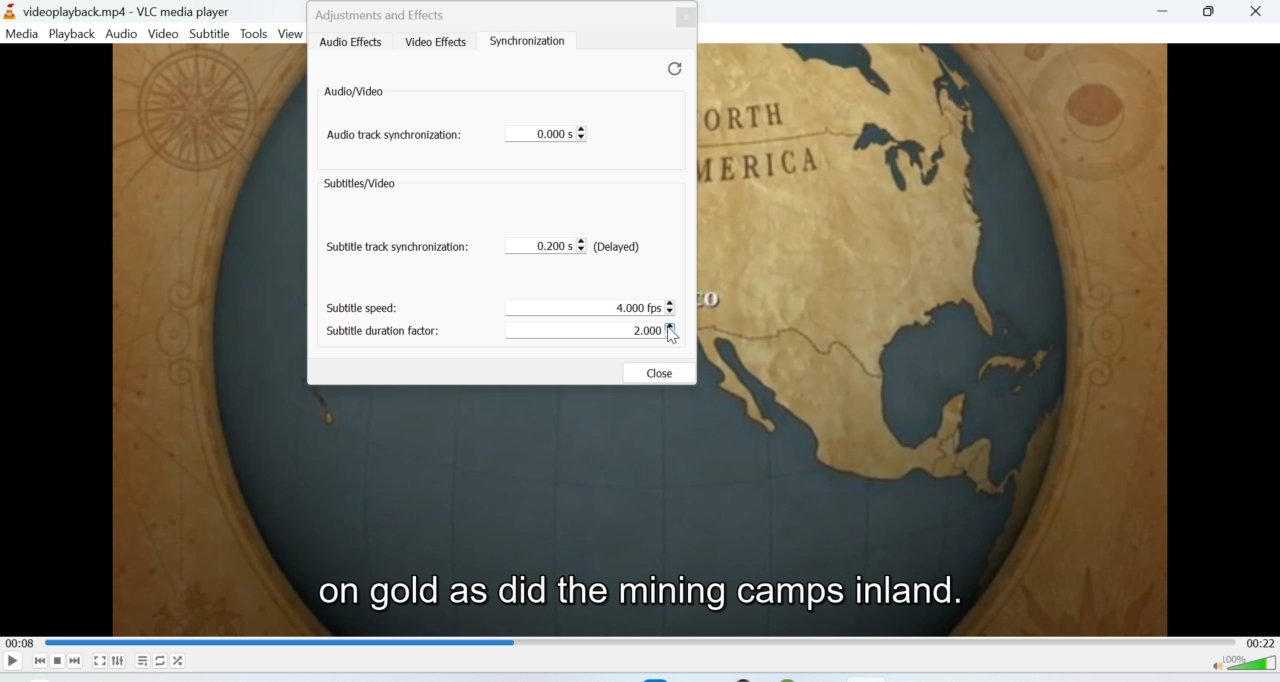 This screenshot has width=1280, height=682. Describe the element at coordinates (382, 13) in the screenshot. I see `Adjustments and Effects` at that location.